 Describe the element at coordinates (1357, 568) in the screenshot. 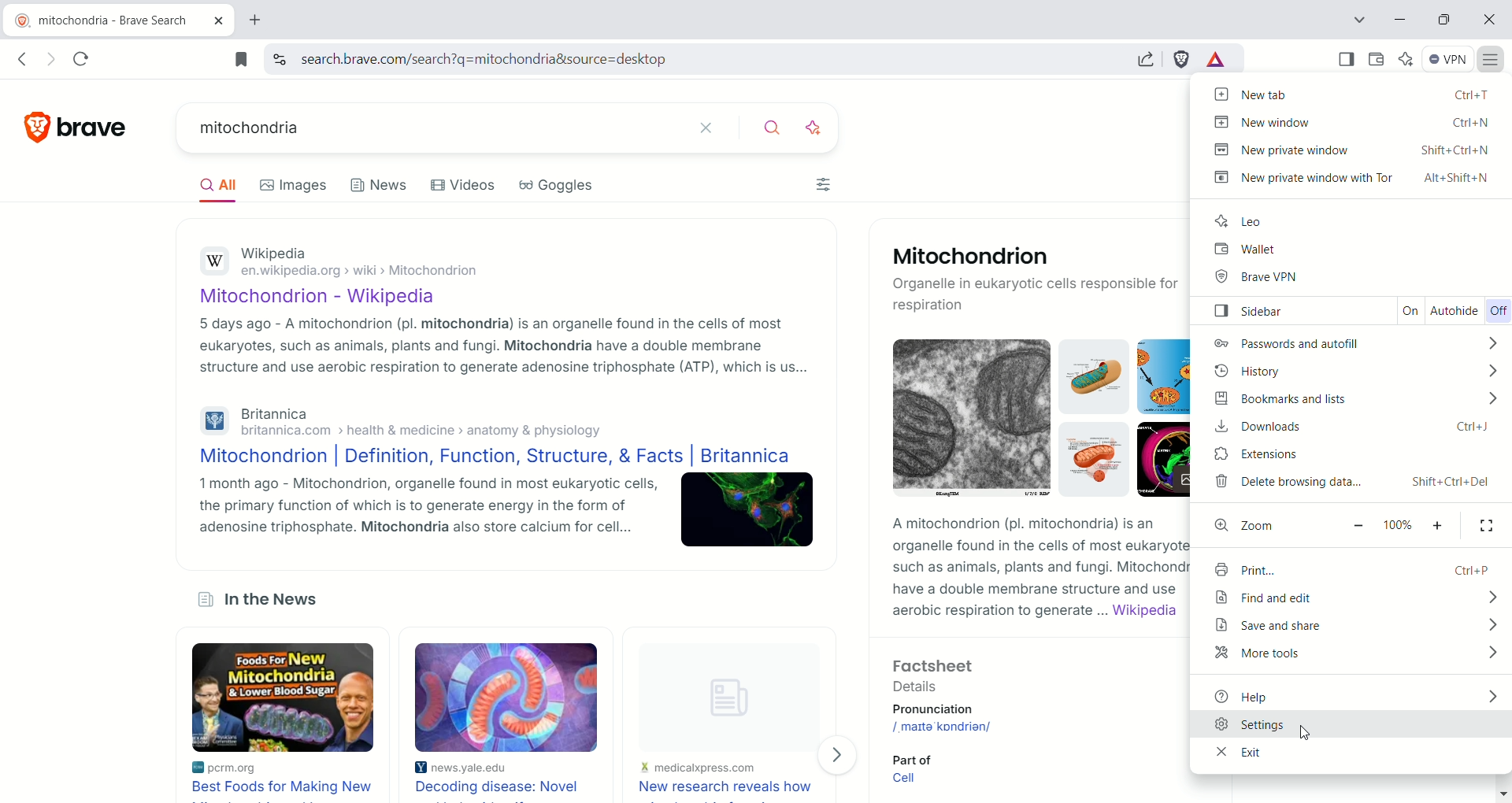

I see `print` at that location.